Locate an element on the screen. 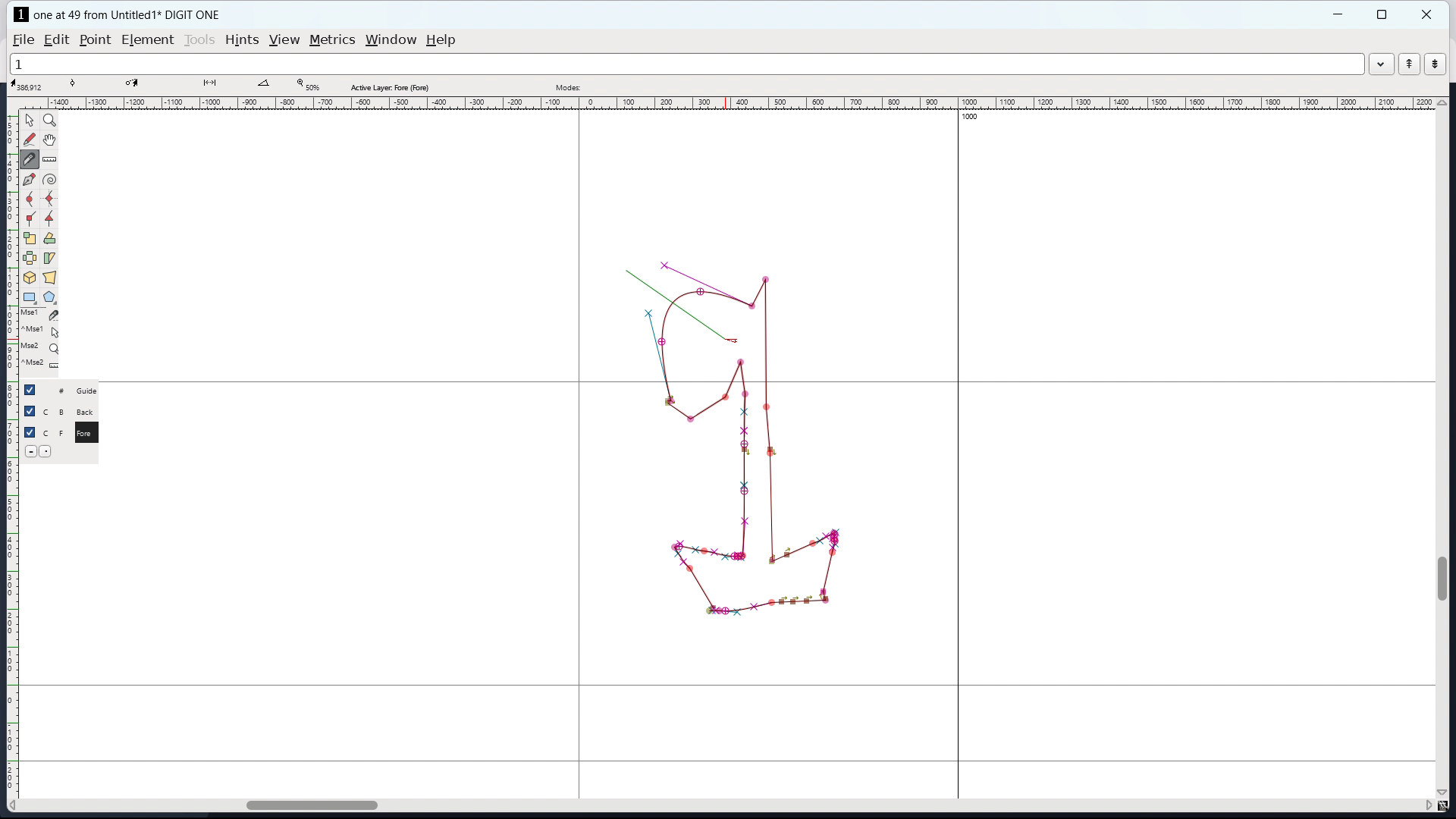 The image size is (1456, 819). is layer visible is located at coordinates (29, 411).